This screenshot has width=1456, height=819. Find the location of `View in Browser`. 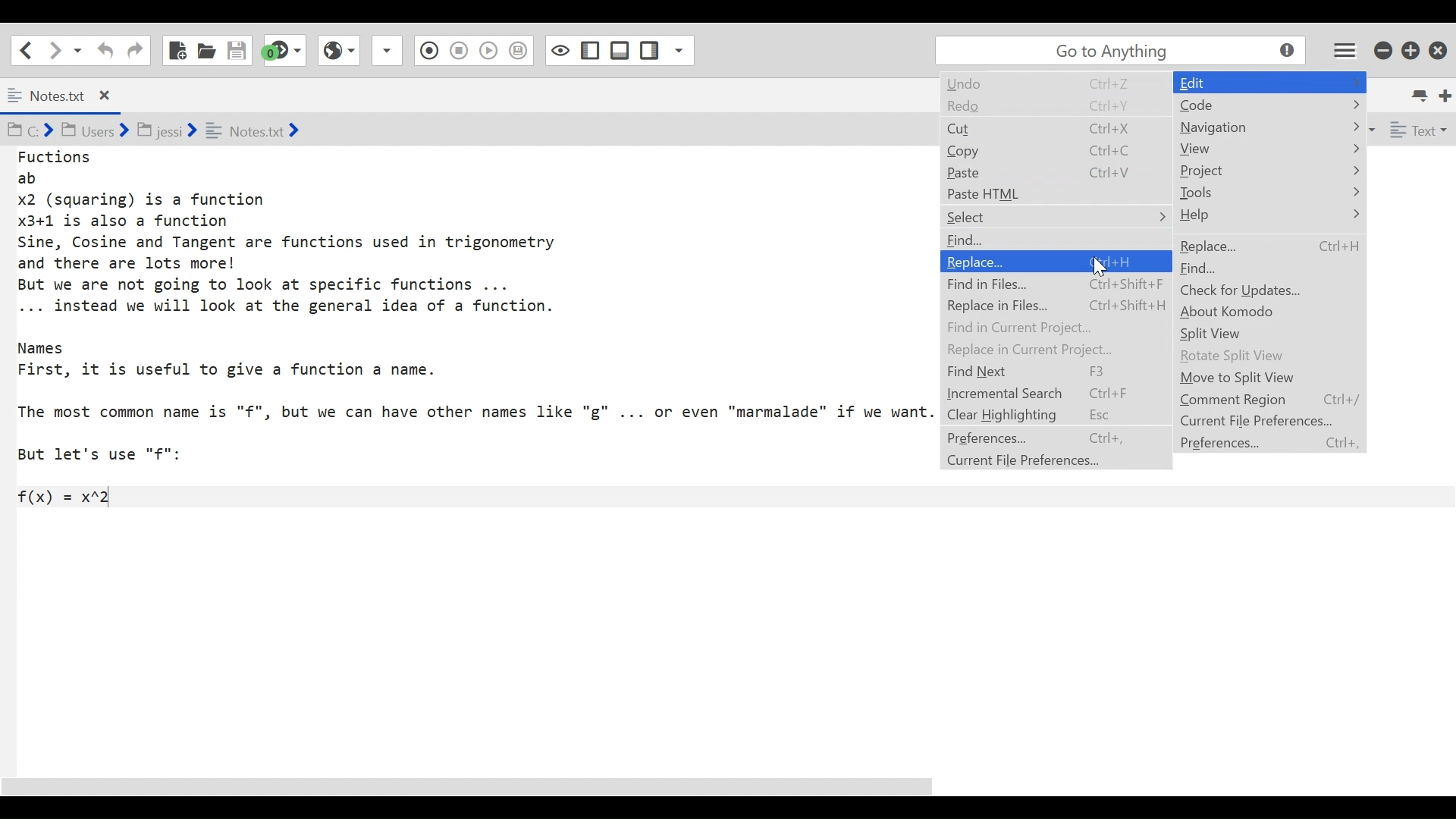

View in Browser is located at coordinates (458, 49).